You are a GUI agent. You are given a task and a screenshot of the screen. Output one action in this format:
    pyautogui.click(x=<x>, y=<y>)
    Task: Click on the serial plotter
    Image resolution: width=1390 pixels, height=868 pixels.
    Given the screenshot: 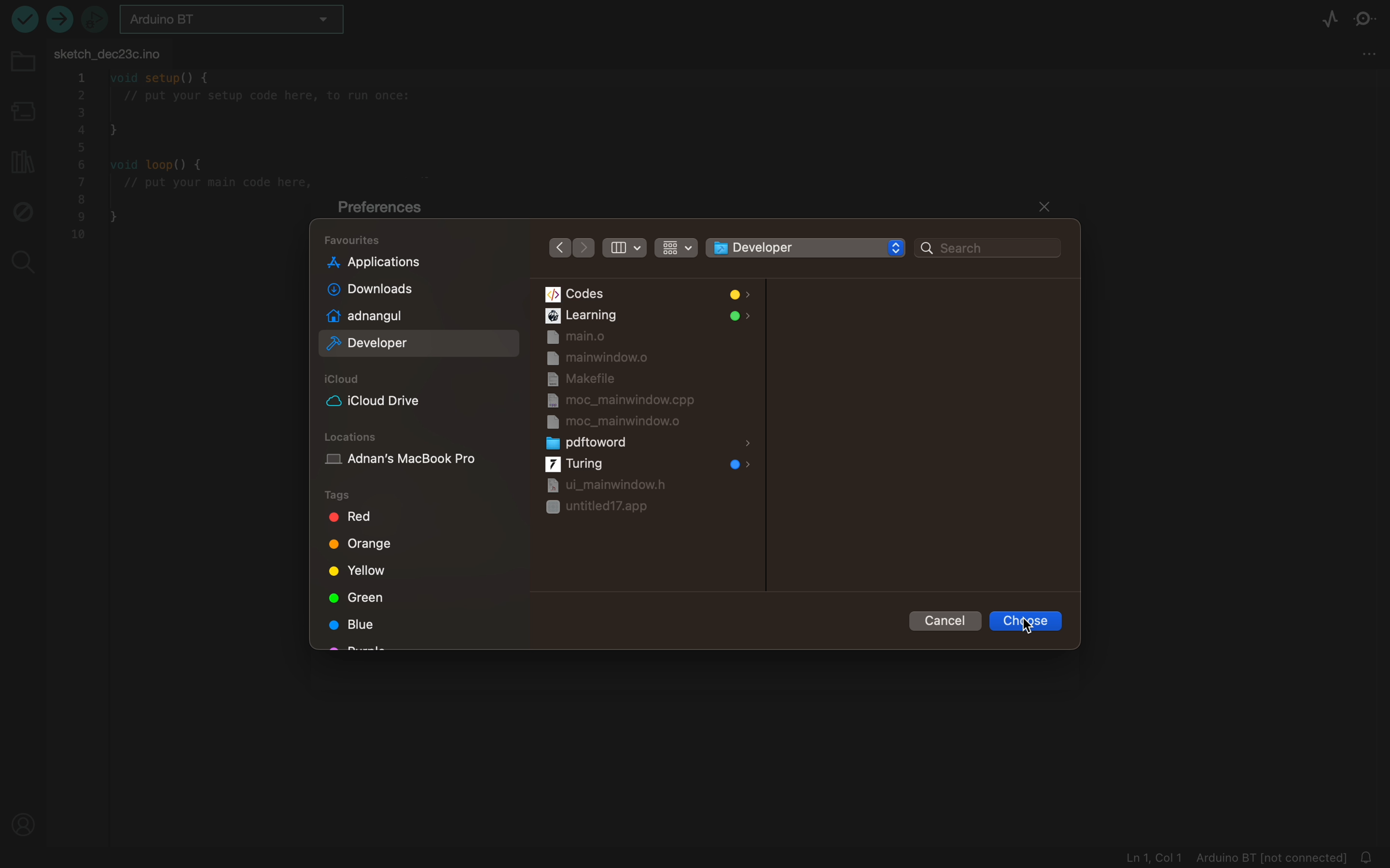 What is the action you would take?
    pyautogui.click(x=1323, y=18)
    